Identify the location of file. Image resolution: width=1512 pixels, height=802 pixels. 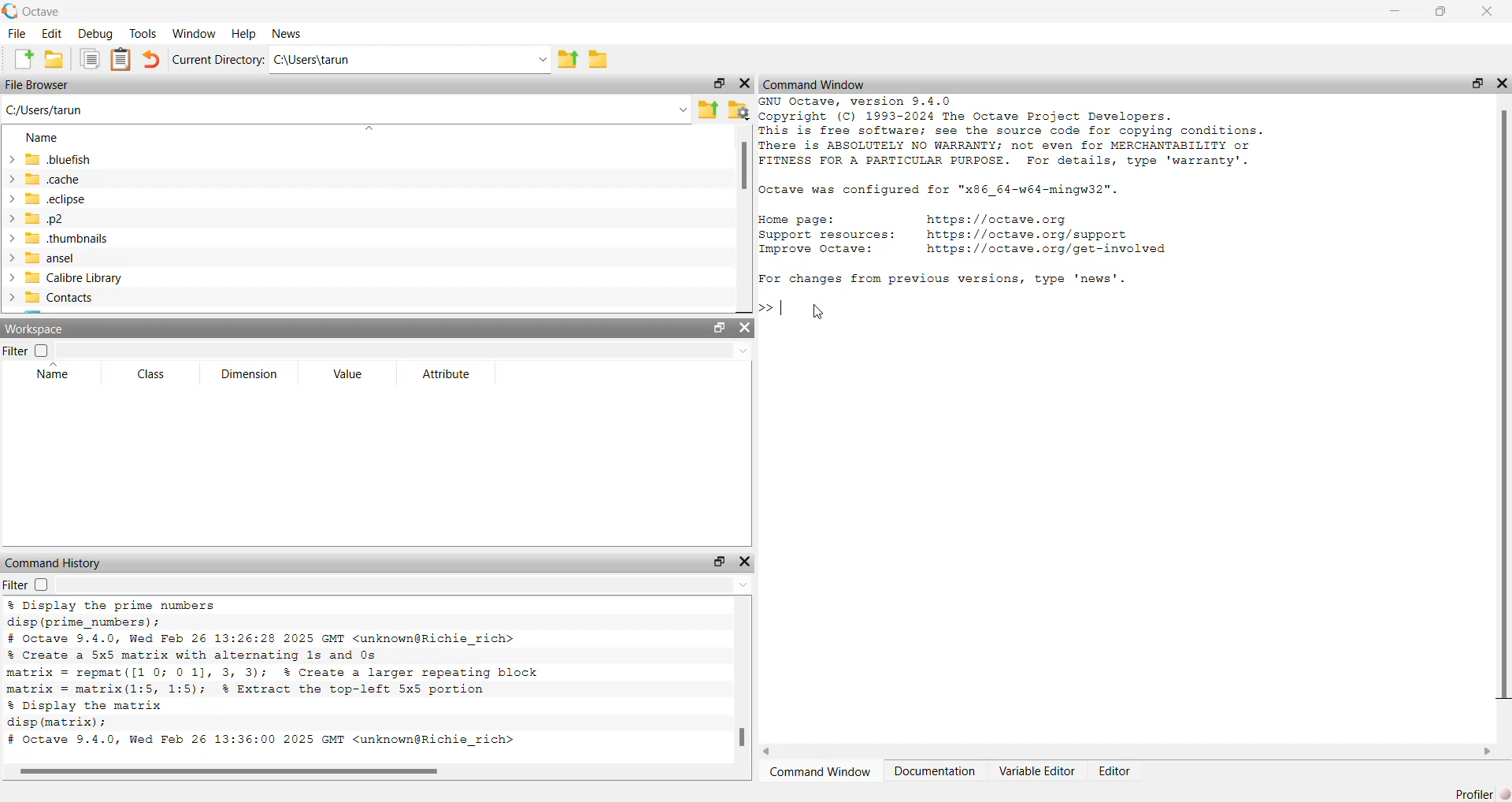
(15, 35).